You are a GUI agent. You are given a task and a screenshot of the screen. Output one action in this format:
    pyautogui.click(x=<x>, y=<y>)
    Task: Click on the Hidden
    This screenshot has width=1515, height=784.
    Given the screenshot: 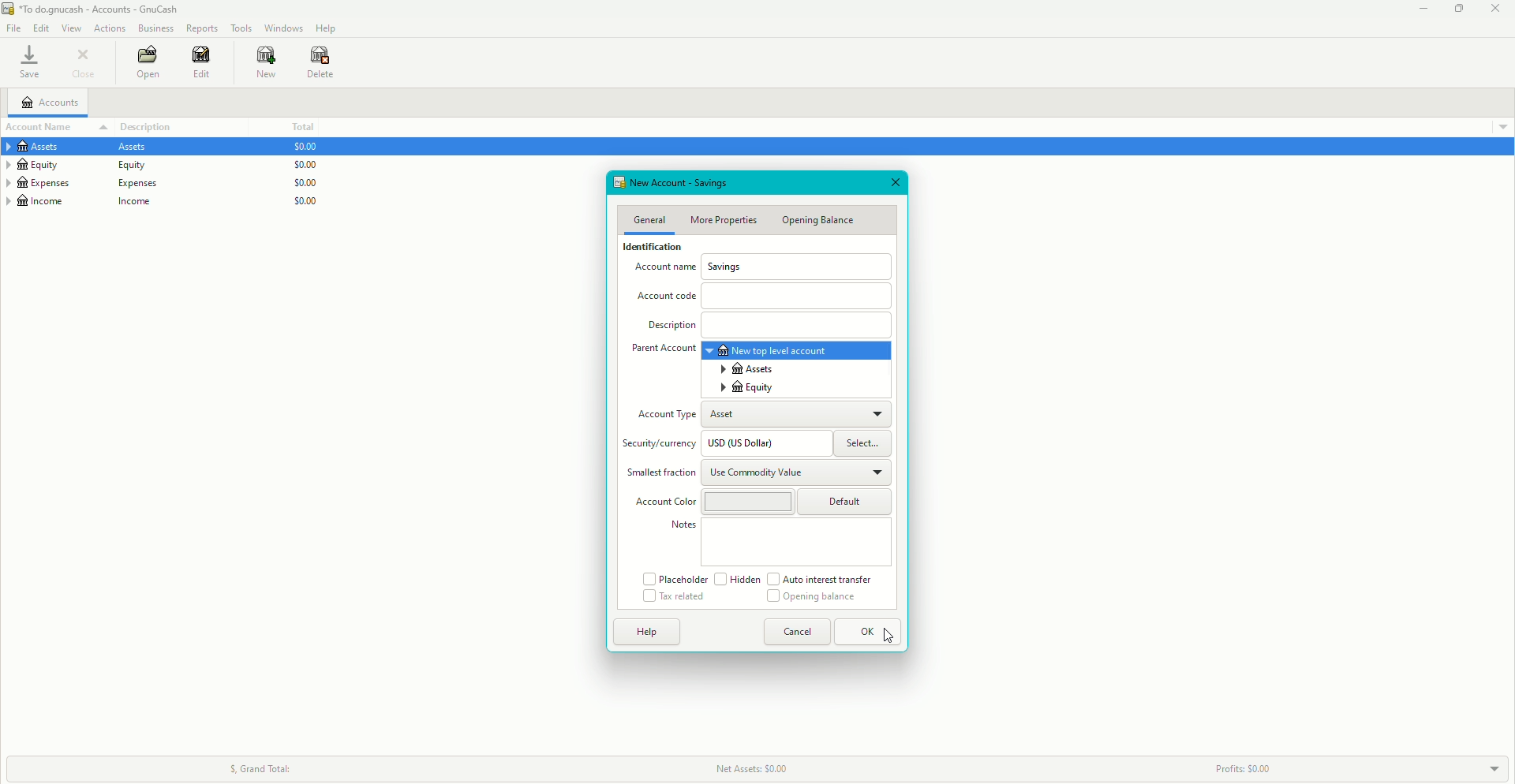 What is the action you would take?
    pyautogui.click(x=736, y=579)
    